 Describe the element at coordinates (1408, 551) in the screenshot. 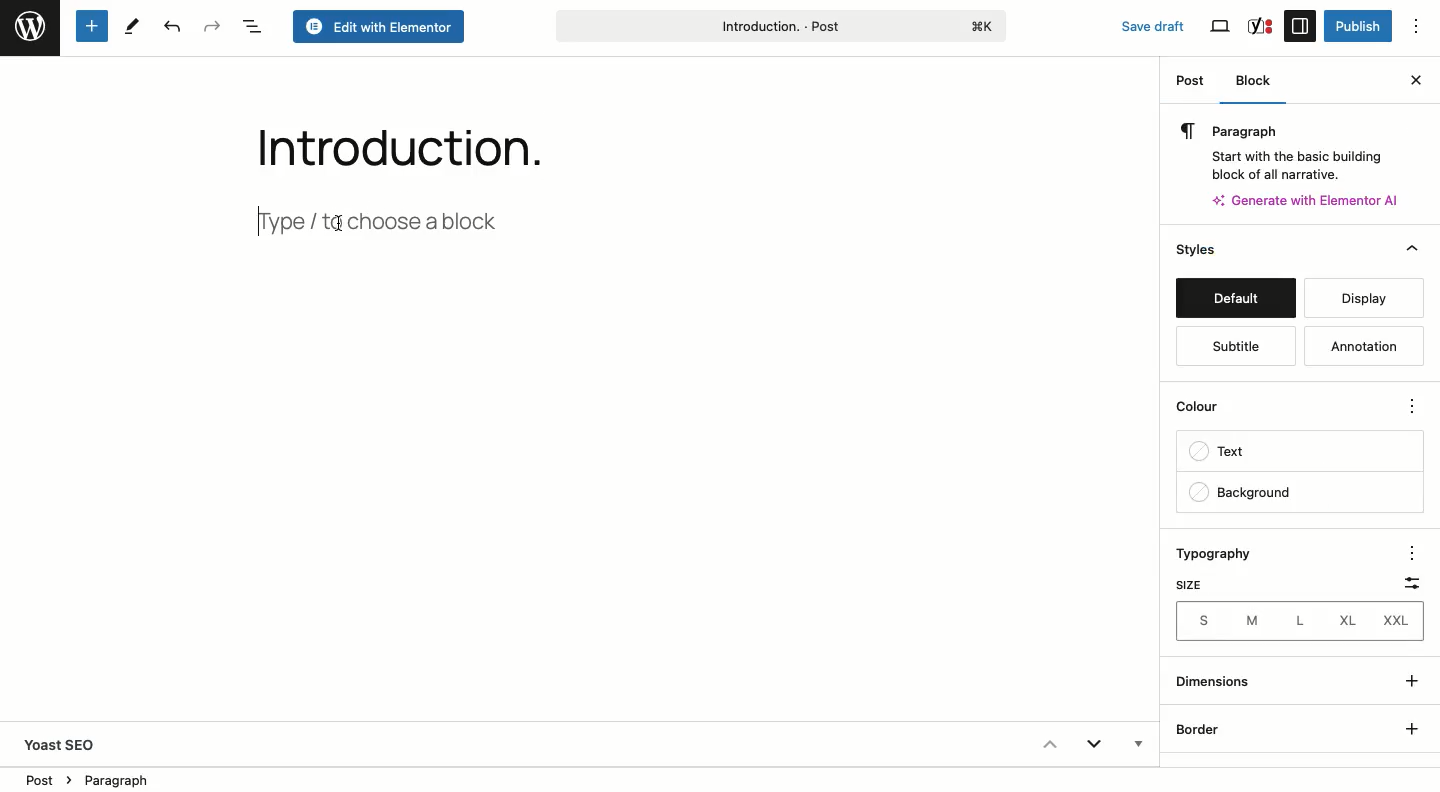

I see `Options` at that location.